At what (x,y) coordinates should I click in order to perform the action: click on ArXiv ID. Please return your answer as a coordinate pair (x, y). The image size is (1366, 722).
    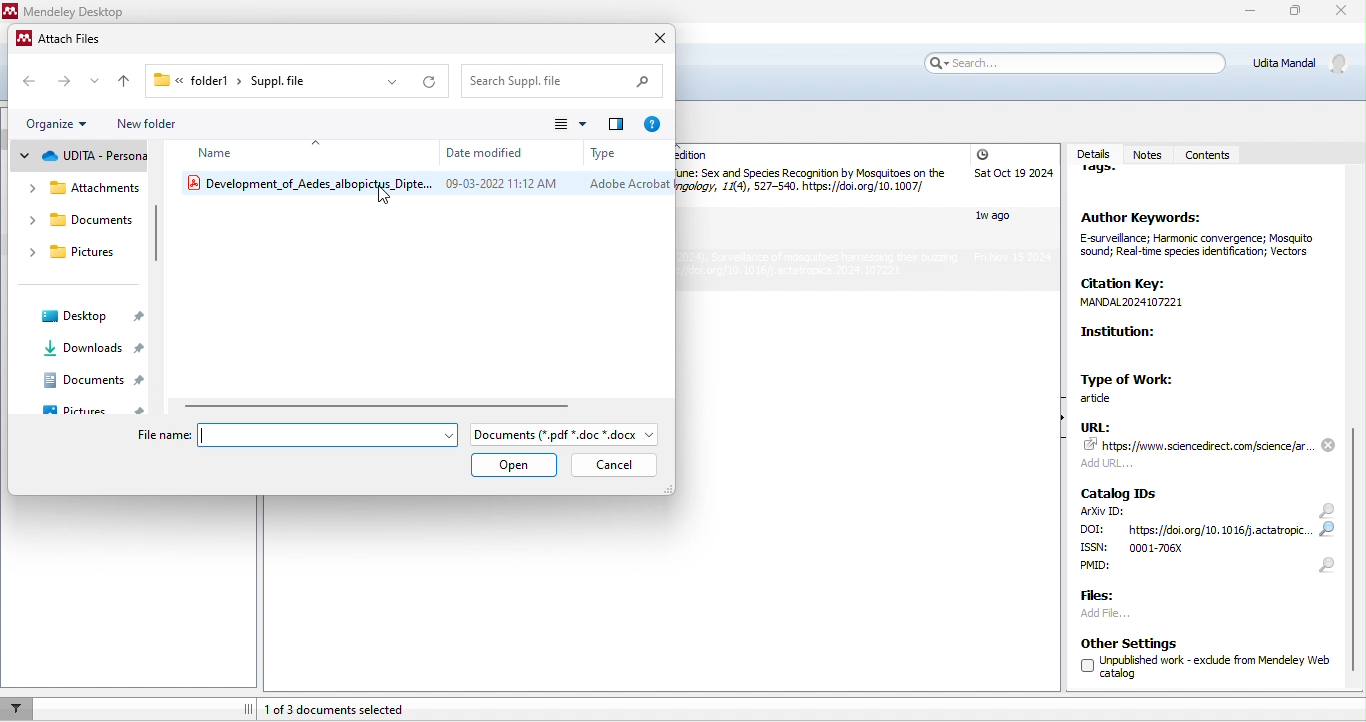
    Looking at the image, I should click on (1102, 512).